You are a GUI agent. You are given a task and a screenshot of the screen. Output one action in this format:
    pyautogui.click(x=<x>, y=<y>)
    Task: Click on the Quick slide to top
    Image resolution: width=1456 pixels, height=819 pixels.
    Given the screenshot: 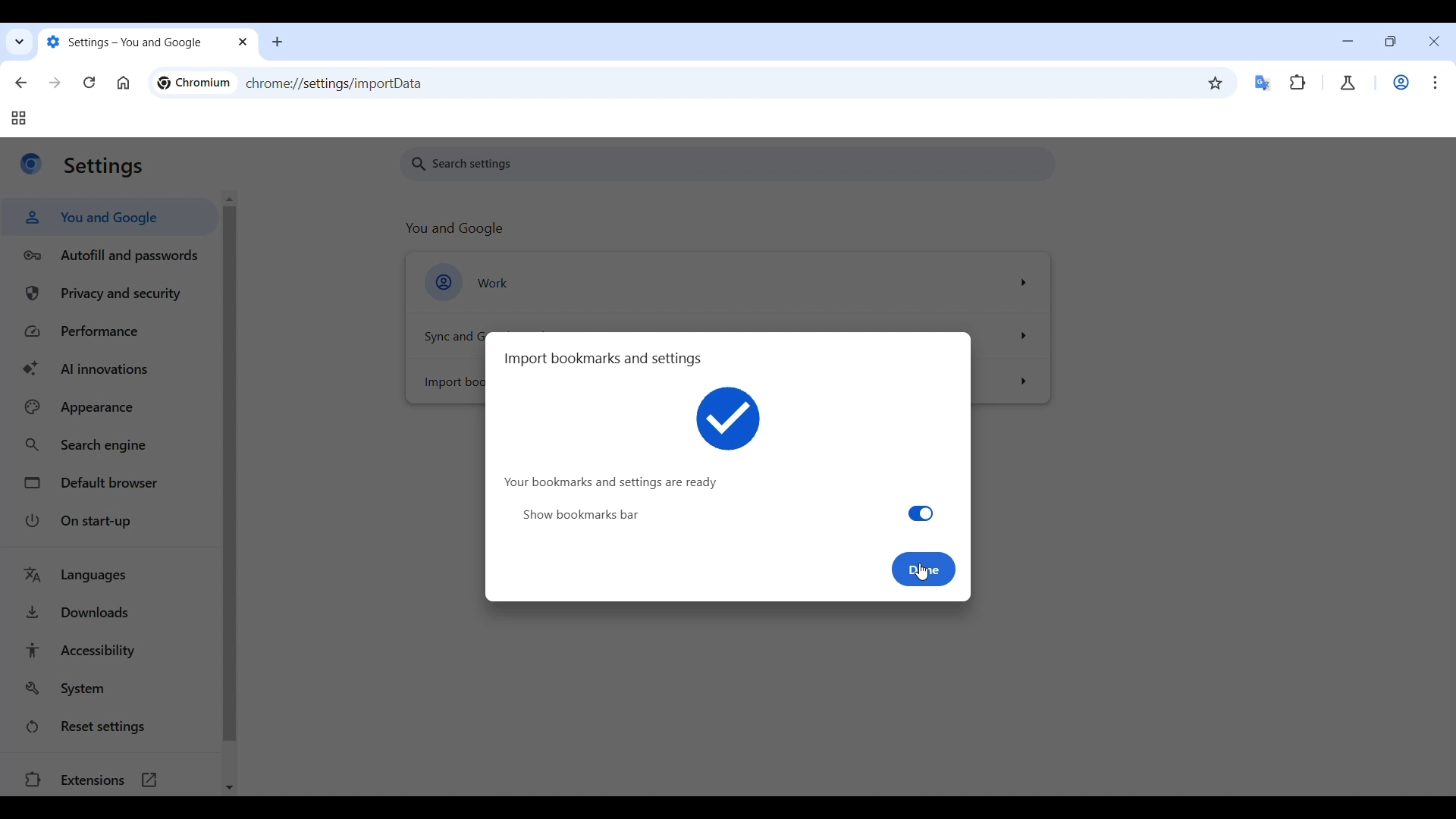 What is the action you would take?
    pyautogui.click(x=229, y=199)
    